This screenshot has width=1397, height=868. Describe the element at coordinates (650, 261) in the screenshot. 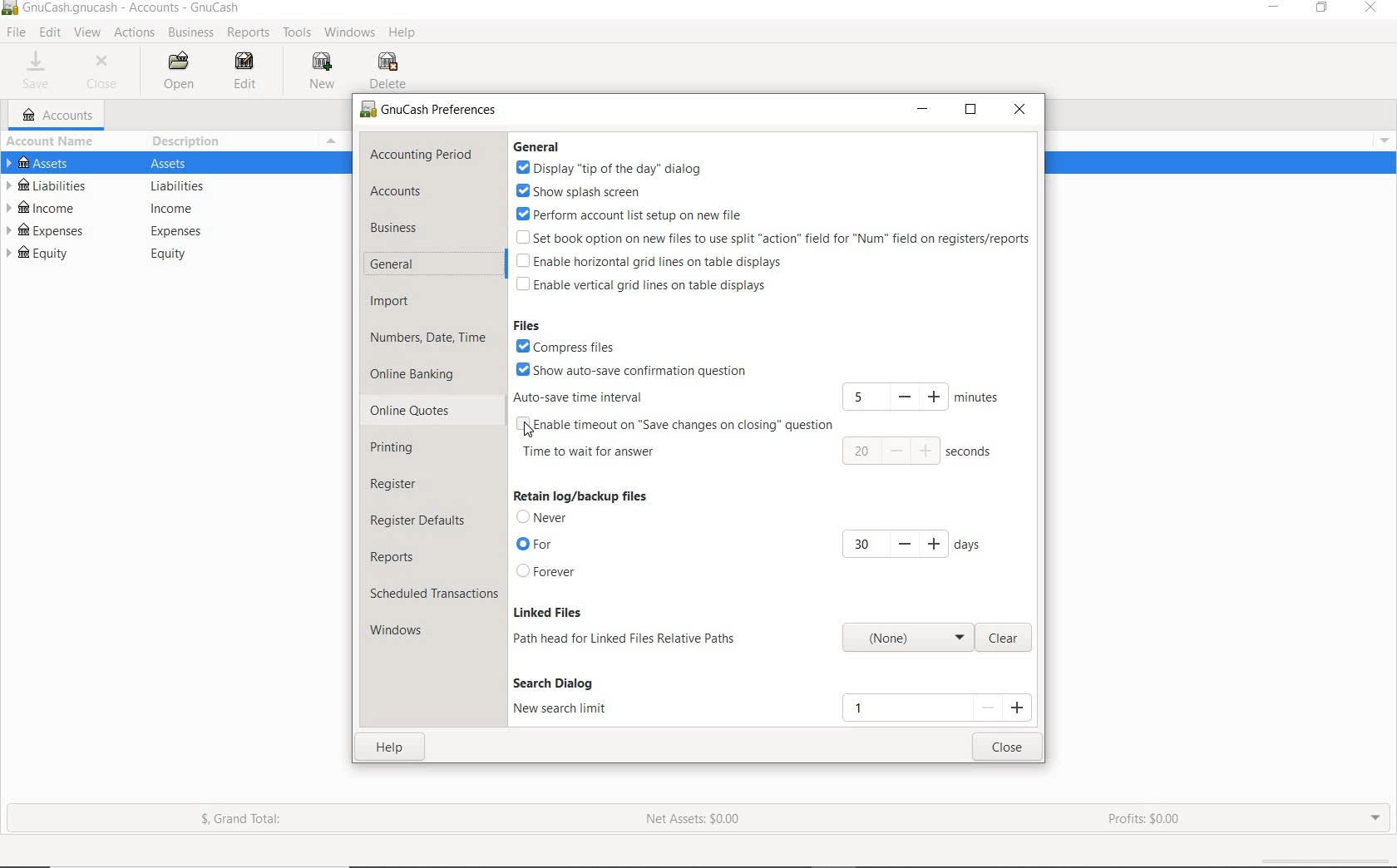

I see `enable horizontal grid lines` at that location.